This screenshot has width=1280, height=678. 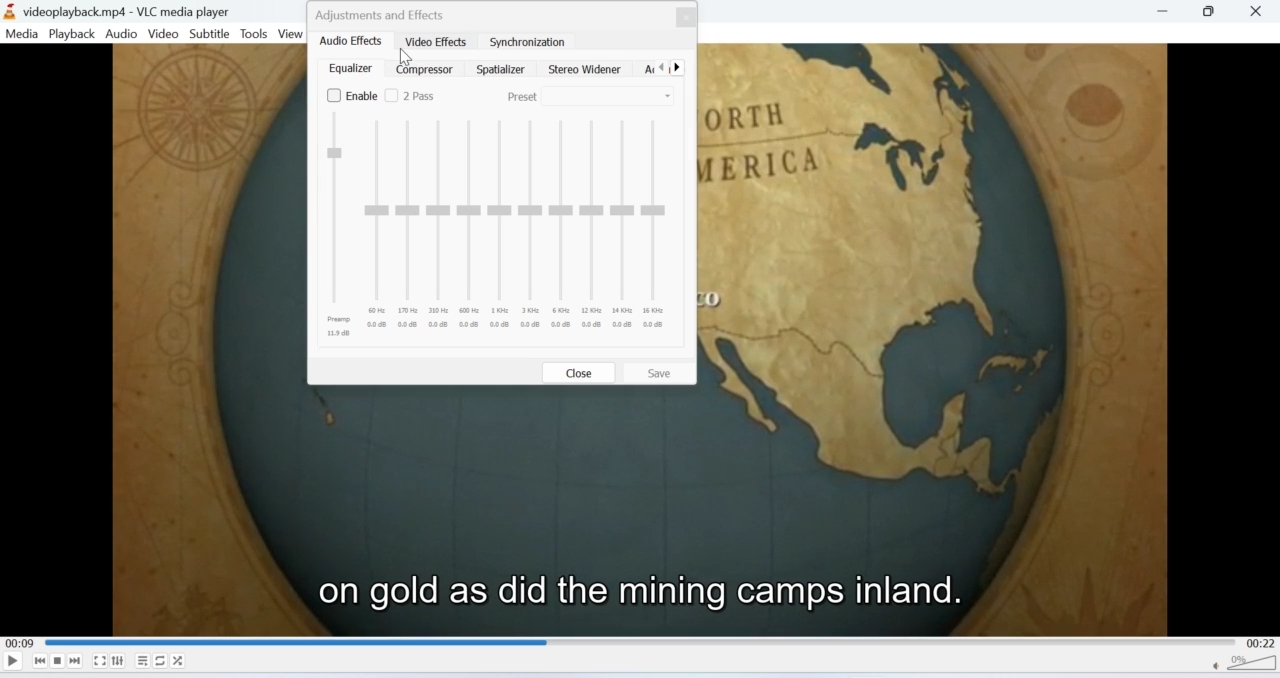 What do you see at coordinates (70, 34) in the screenshot?
I see `Playback` at bounding box center [70, 34].